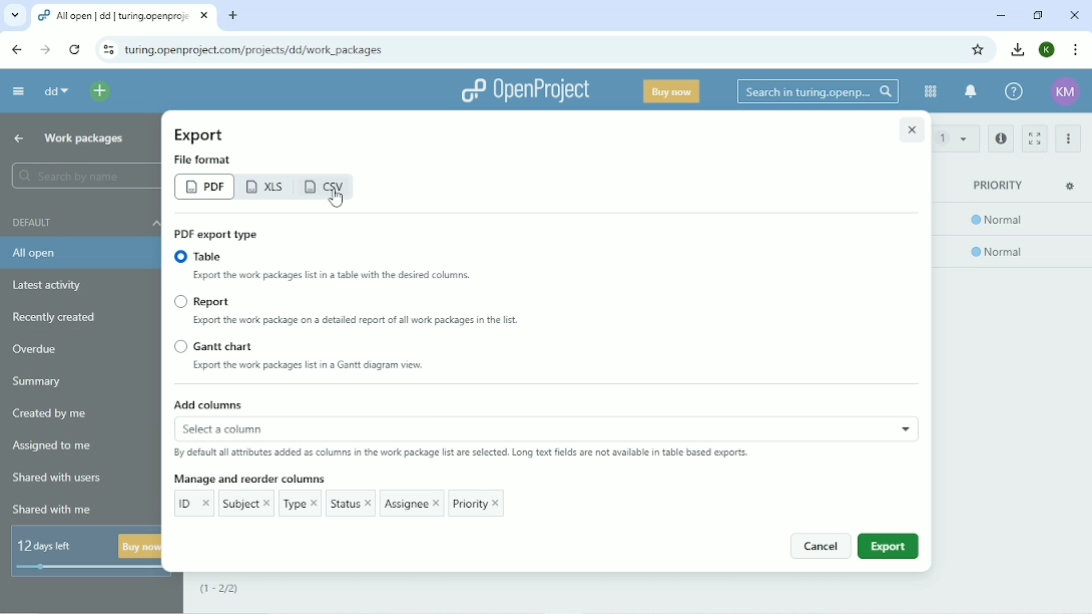 The width and height of the screenshot is (1092, 614). Describe the element at coordinates (1074, 15) in the screenshot. I see `Close` at that location.